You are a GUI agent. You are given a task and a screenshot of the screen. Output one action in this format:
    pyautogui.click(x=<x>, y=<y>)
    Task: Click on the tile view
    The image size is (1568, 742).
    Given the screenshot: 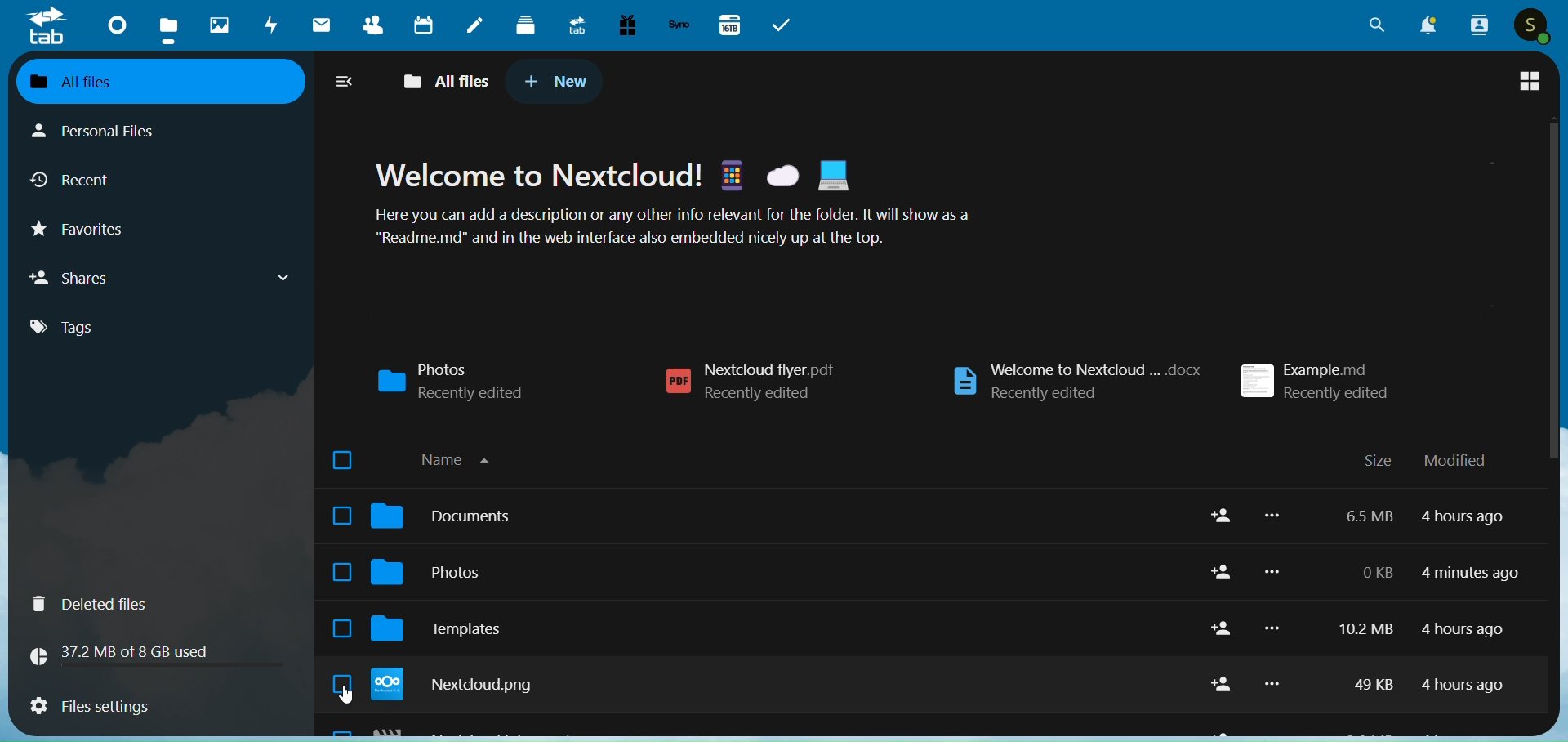 What is the action you would take?
    pyautogui.click(x=1529, y=81)
    